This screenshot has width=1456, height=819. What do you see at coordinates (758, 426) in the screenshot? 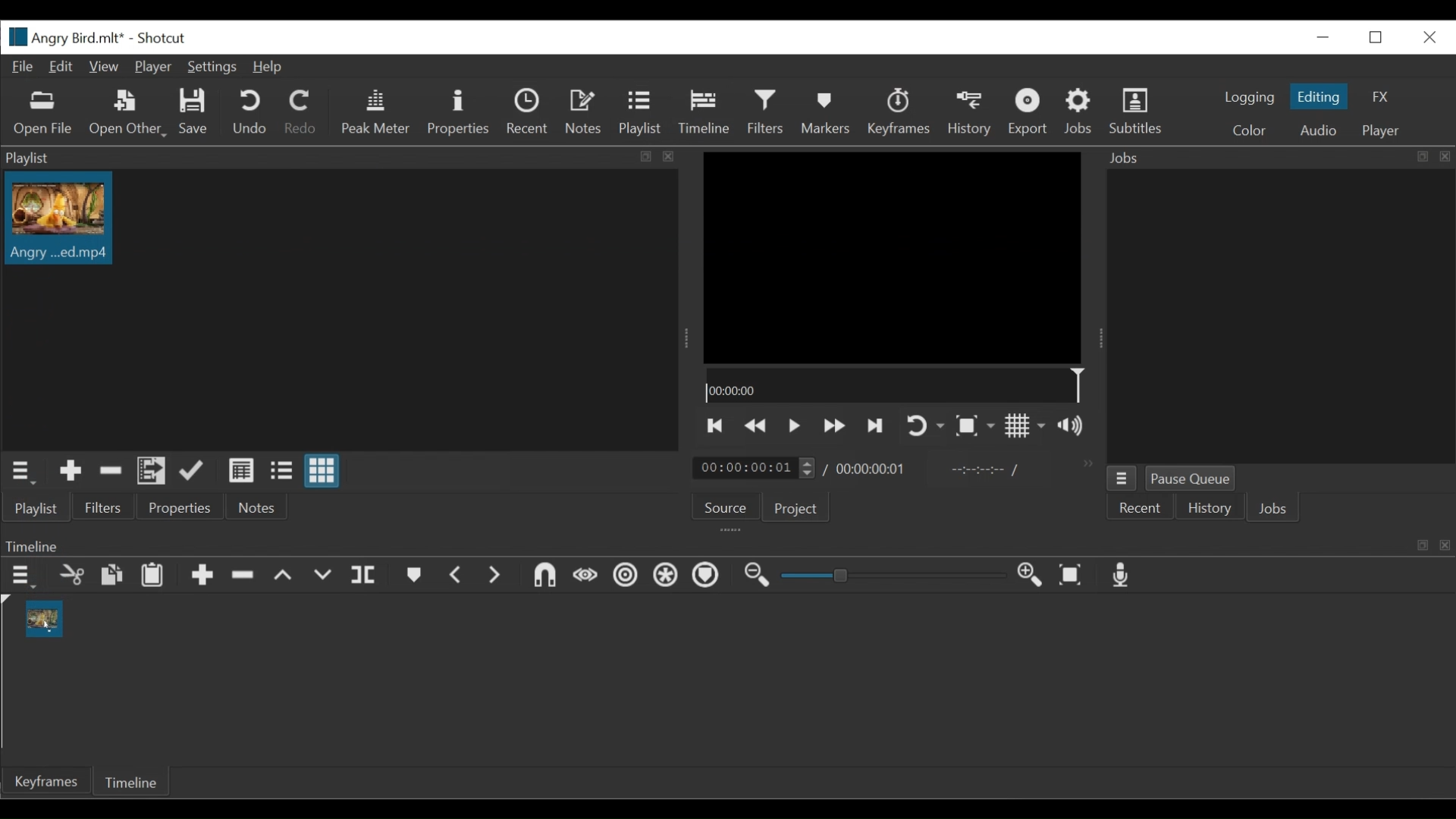
I see `Play quickly backward` at bounding box center [758, 426].